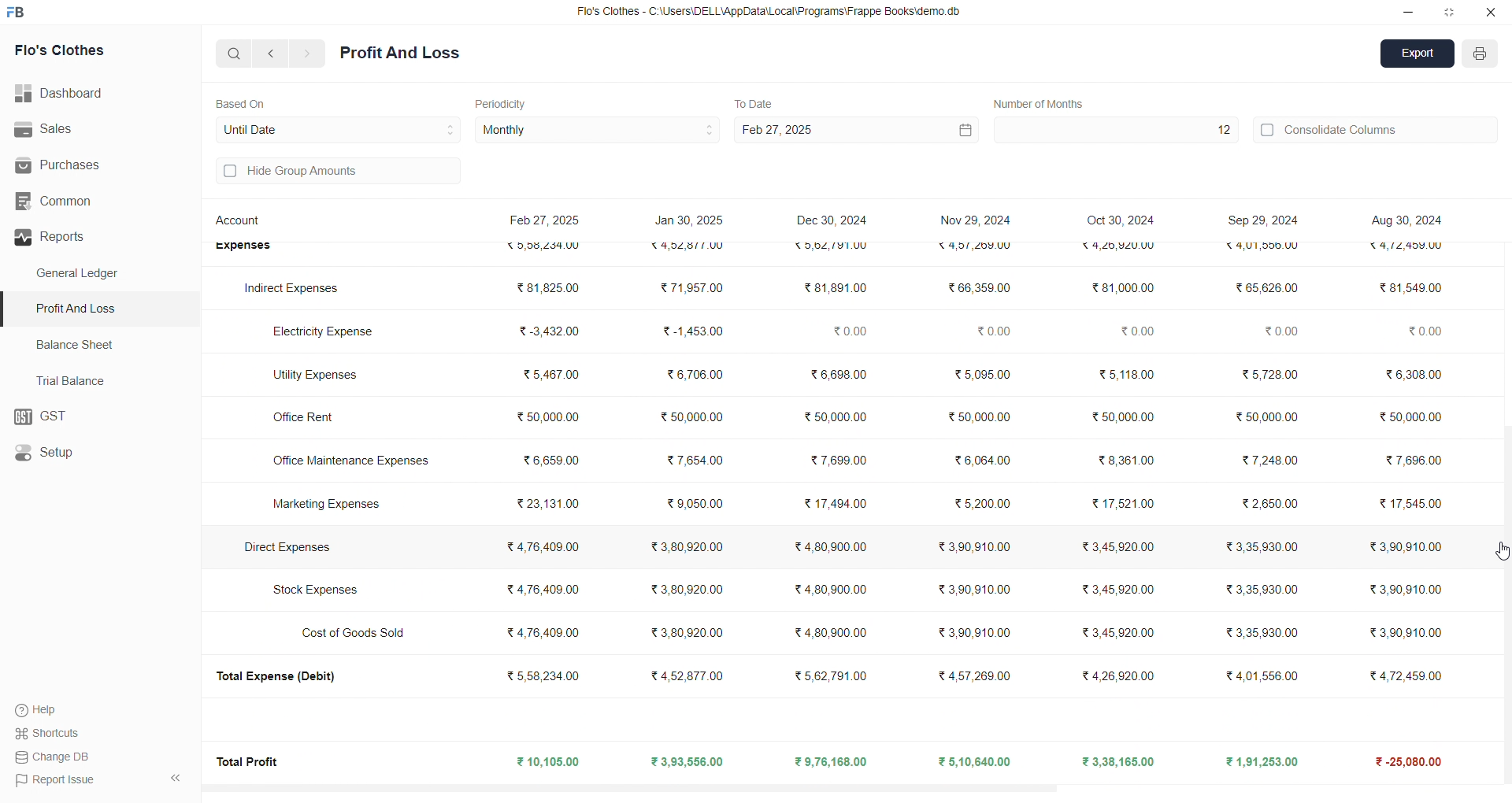 The image size is (1512, 803). Describe the element at coordinates (175, 779) in the screenshot. I see `collapse sidebar` at that location.